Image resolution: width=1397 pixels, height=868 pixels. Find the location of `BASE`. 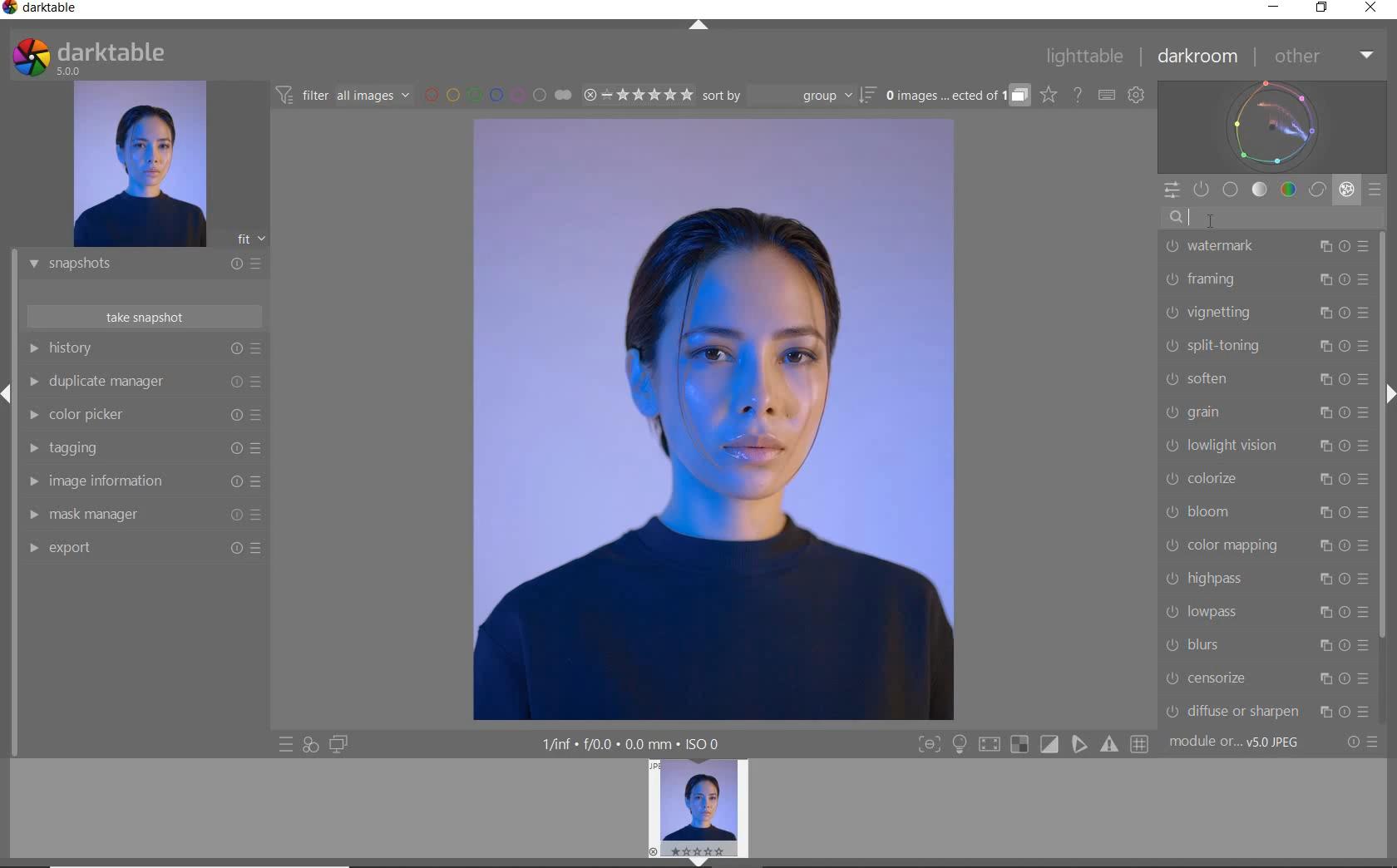

BASE is located at coordinates (1231, 190).